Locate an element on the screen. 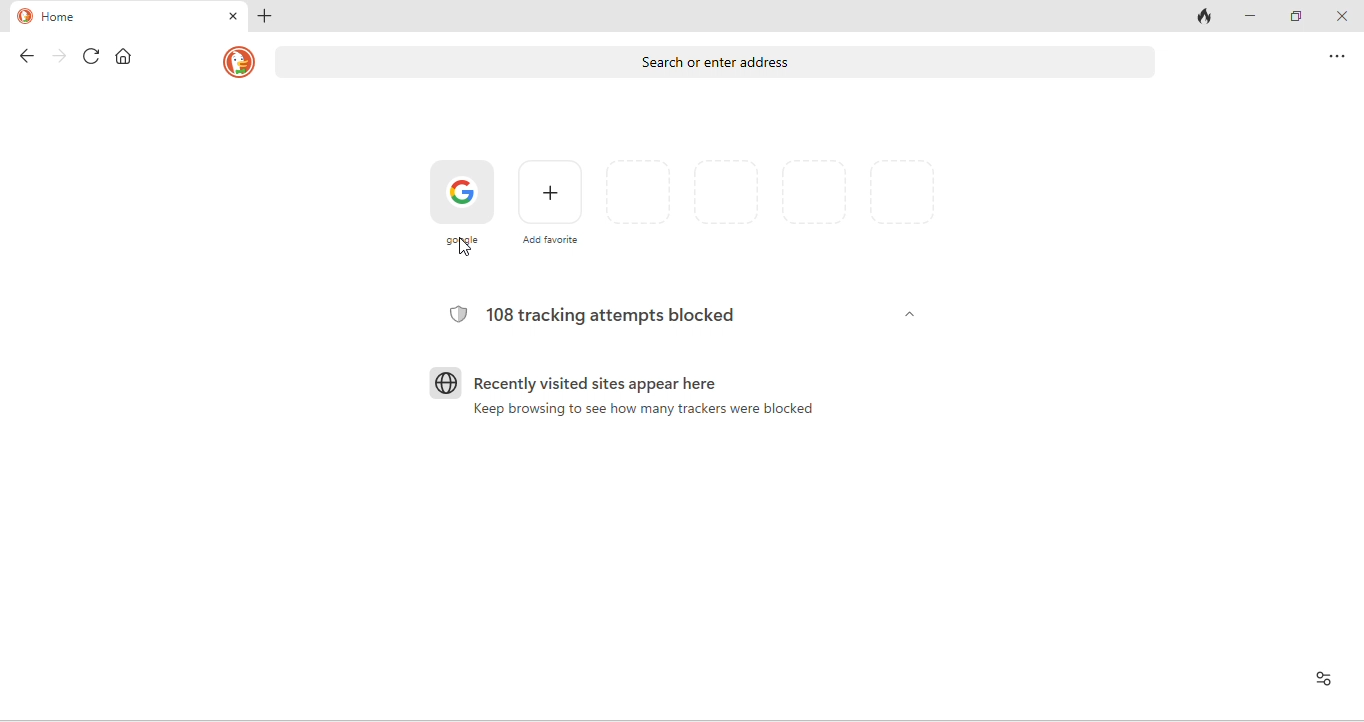 This screenshot has width=1364, height=722. add new tab is located at coordinates (268, 17).